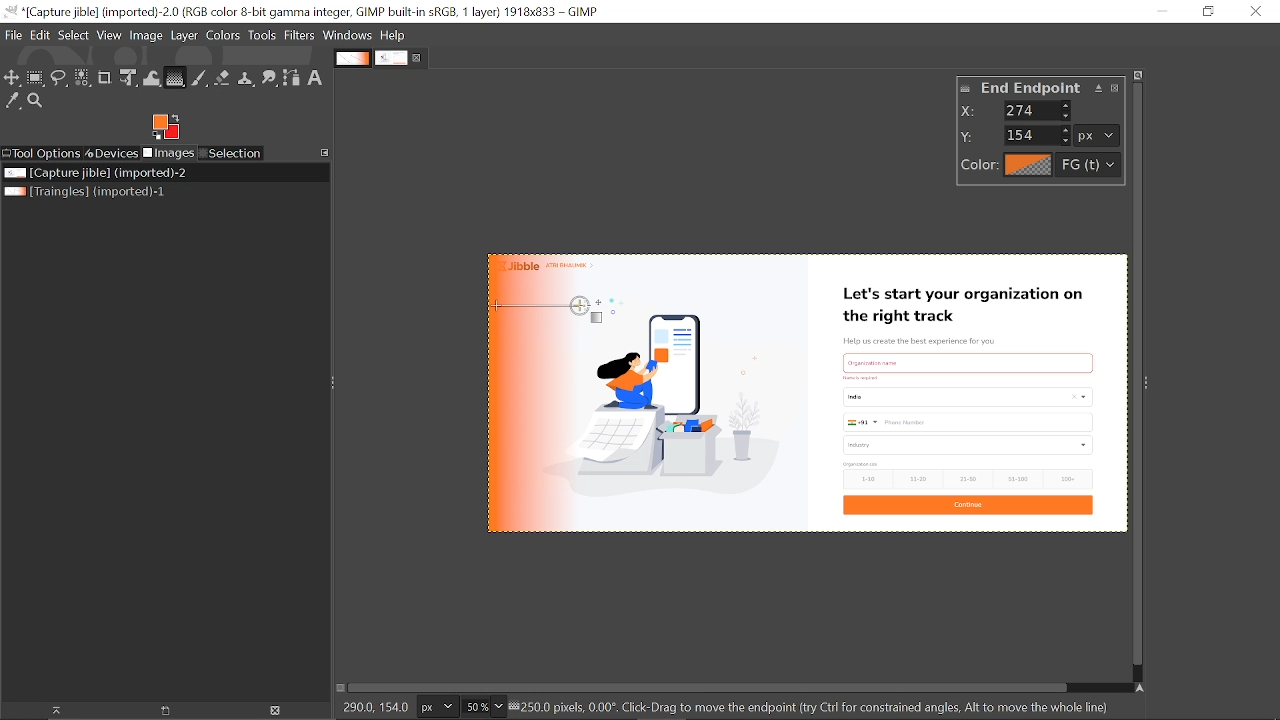  What do you see at coordinates (1039, 135) in the screenshot?
I see `y values` at bounding box center [1039, 135].